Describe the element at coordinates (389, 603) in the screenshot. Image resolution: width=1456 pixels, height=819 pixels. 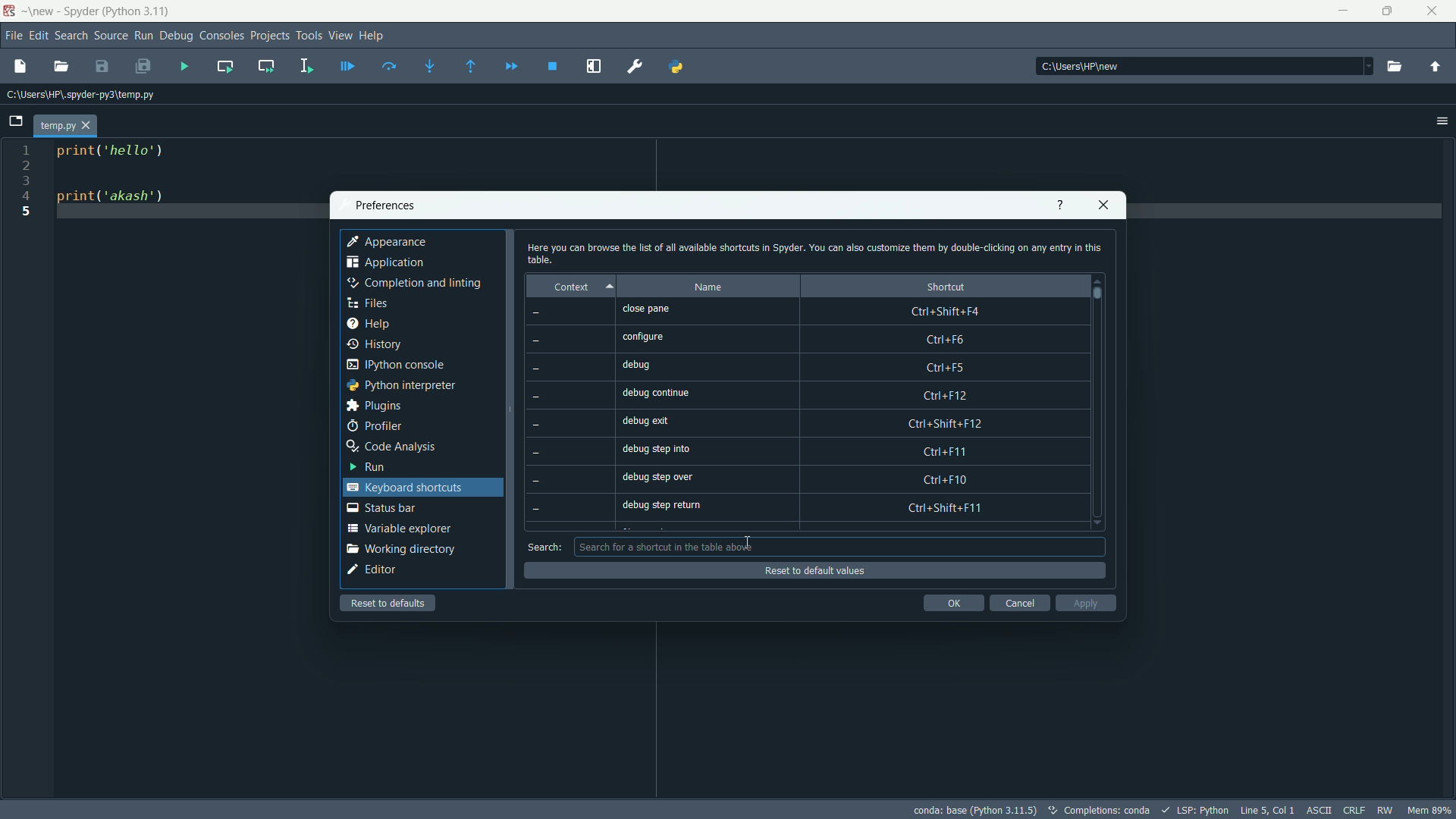
I see `reset to defaults` at that location.